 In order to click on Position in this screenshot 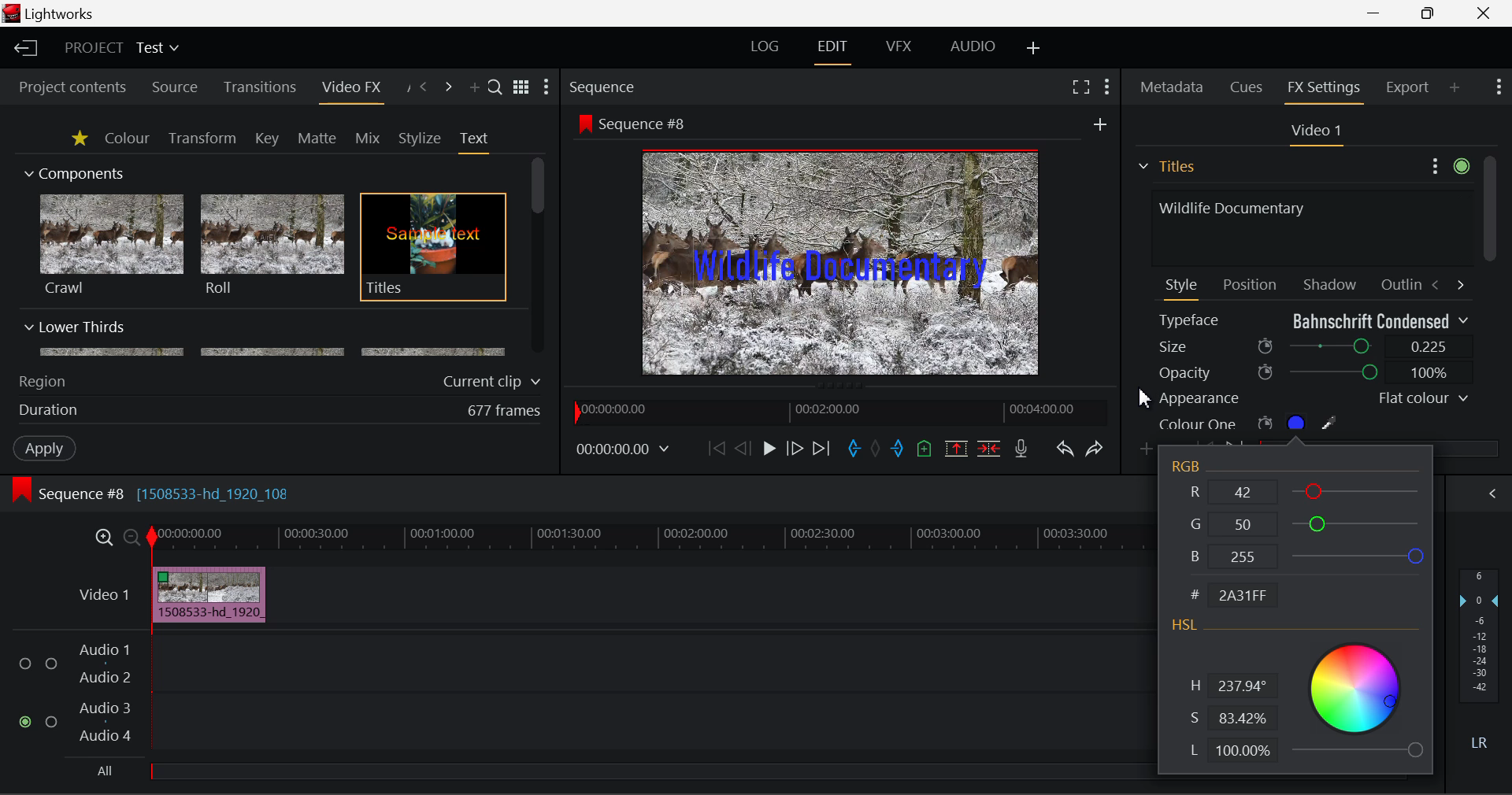, I will do `click(1252, 283)`.